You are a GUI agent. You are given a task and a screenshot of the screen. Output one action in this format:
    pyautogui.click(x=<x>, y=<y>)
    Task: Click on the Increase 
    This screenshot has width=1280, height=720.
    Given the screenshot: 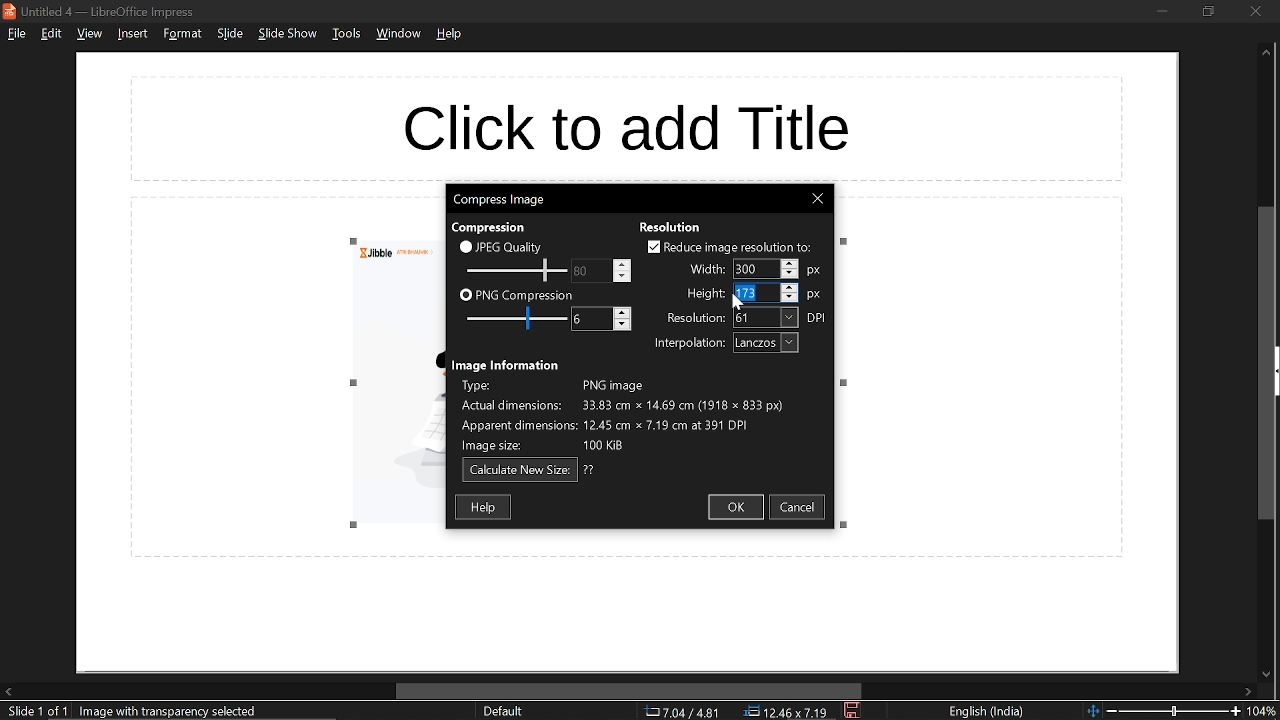 What is the action you would take?
    pyautogui.click(x=791, y=286)
    